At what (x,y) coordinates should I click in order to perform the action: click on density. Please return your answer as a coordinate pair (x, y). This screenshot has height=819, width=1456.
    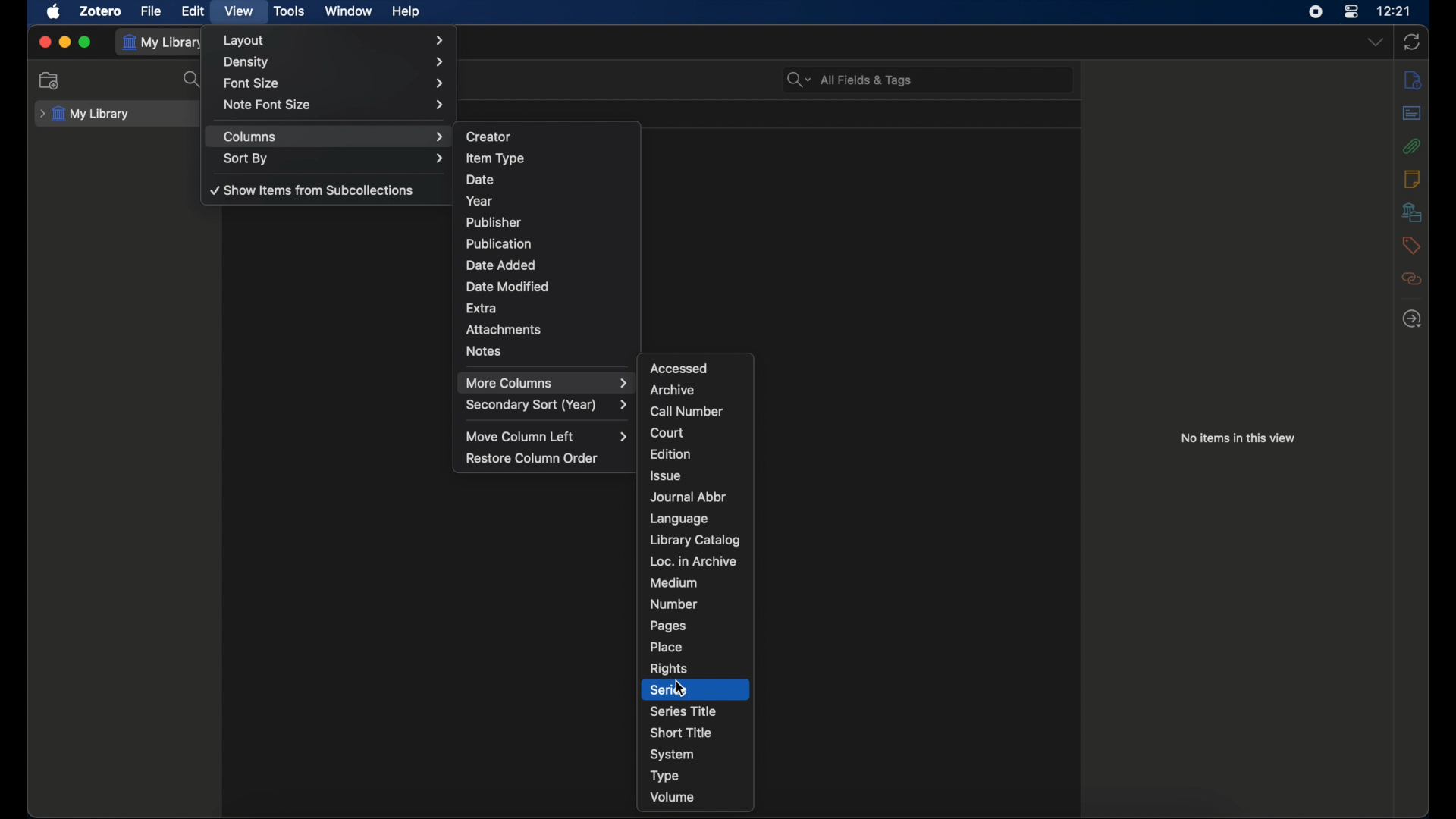
    Looking at the image, I should click on (335, 62).